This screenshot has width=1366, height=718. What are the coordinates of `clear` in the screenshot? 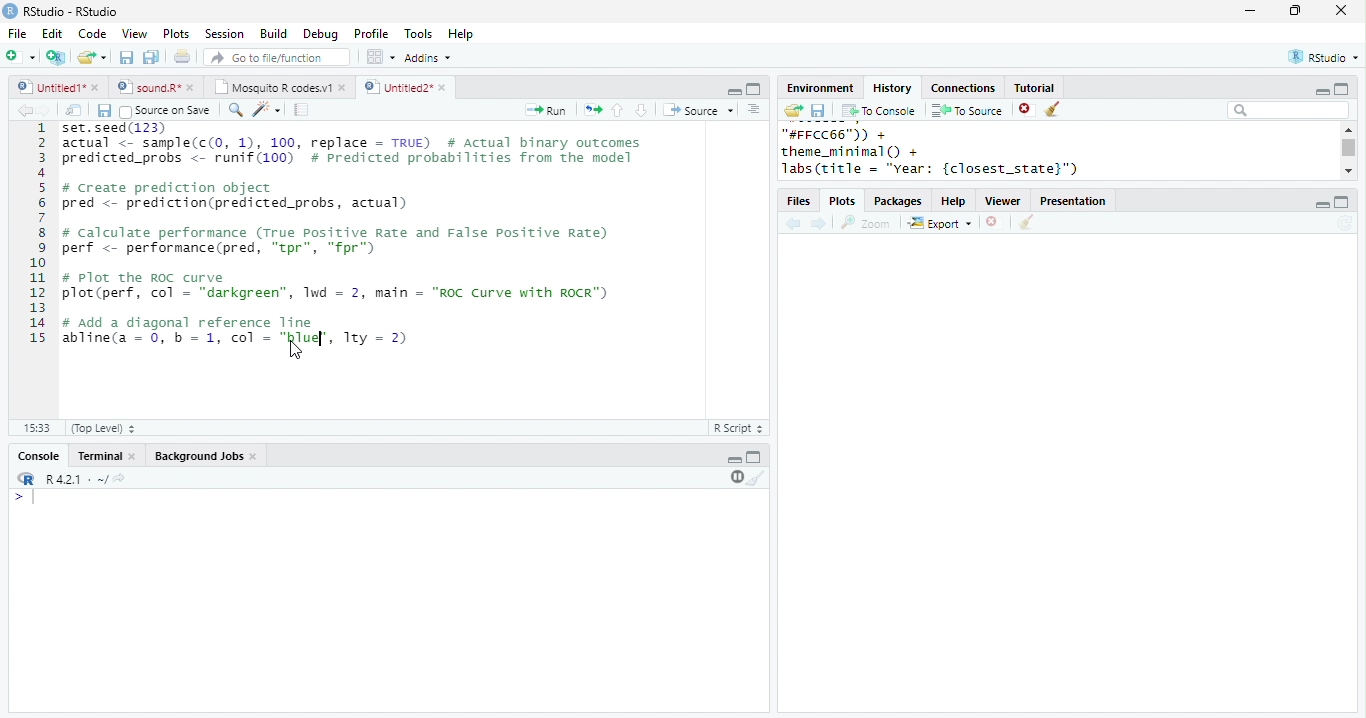 It's located at (1054, 110).